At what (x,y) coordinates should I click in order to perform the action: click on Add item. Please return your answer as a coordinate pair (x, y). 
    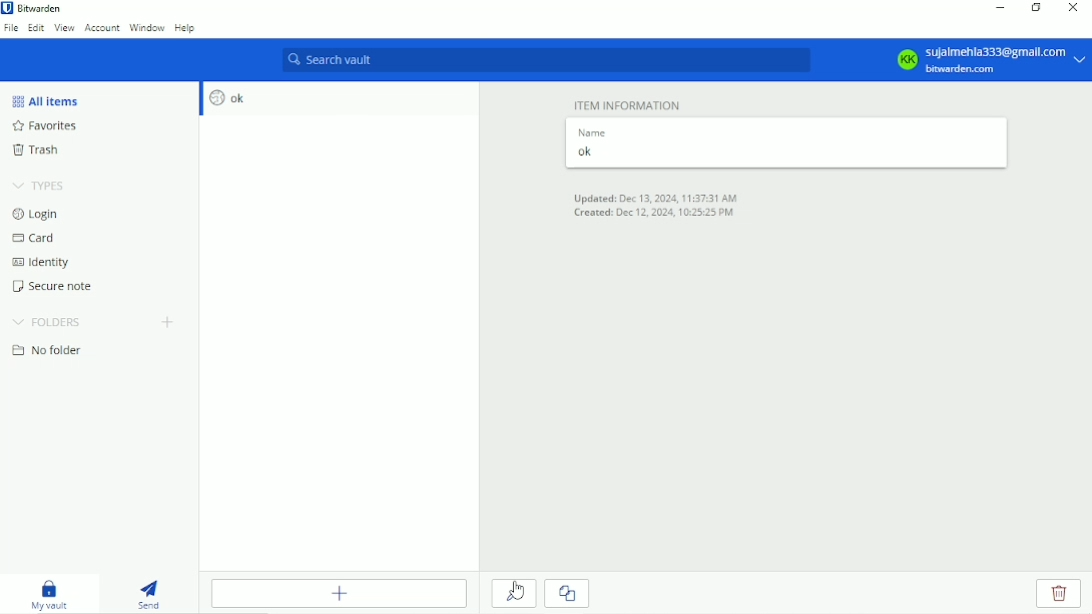
    Looking at the image, I should click on (338, 593).